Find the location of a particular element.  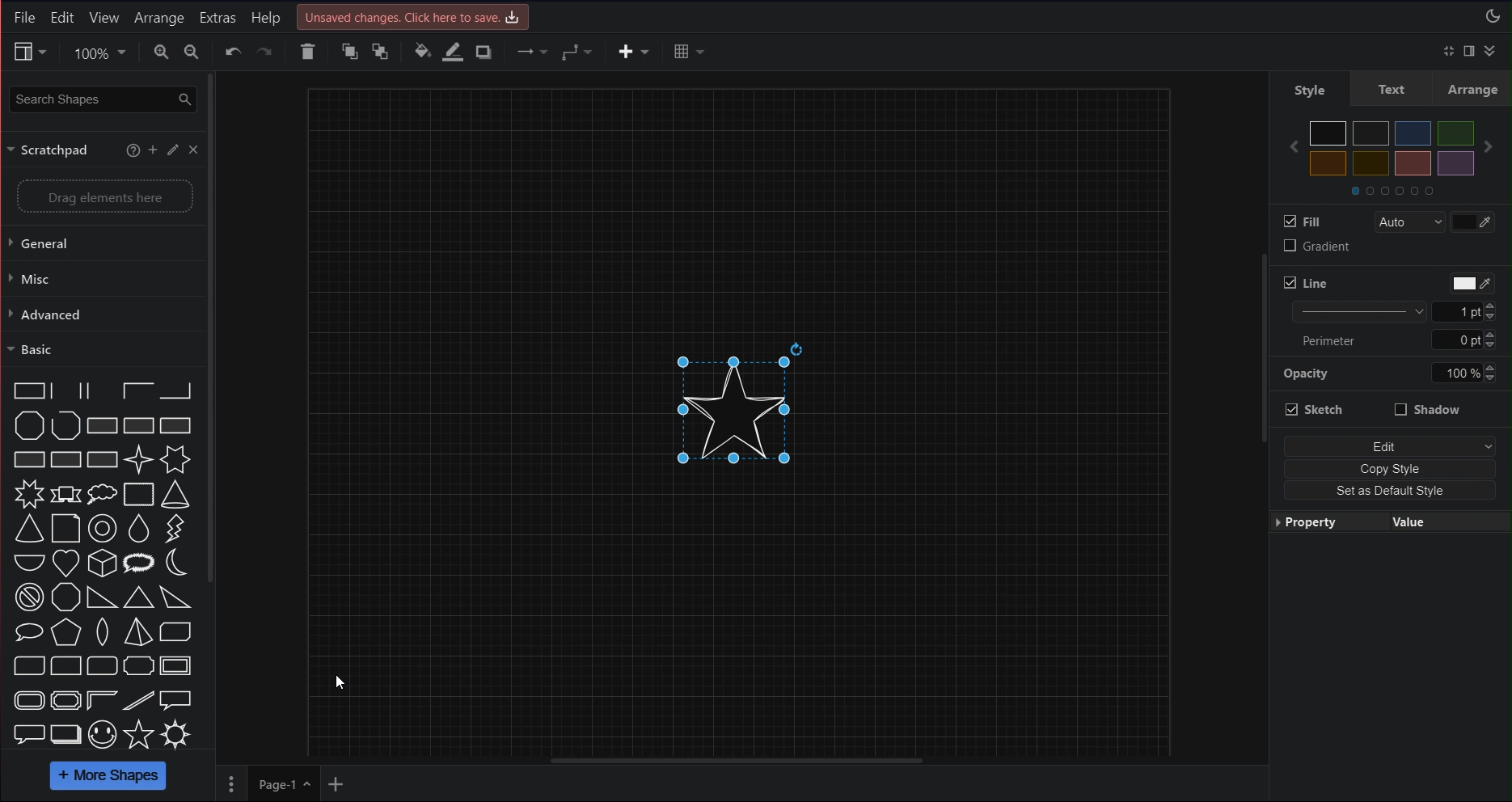

Vertical Scroll bar is located at coordinates (286, 411).